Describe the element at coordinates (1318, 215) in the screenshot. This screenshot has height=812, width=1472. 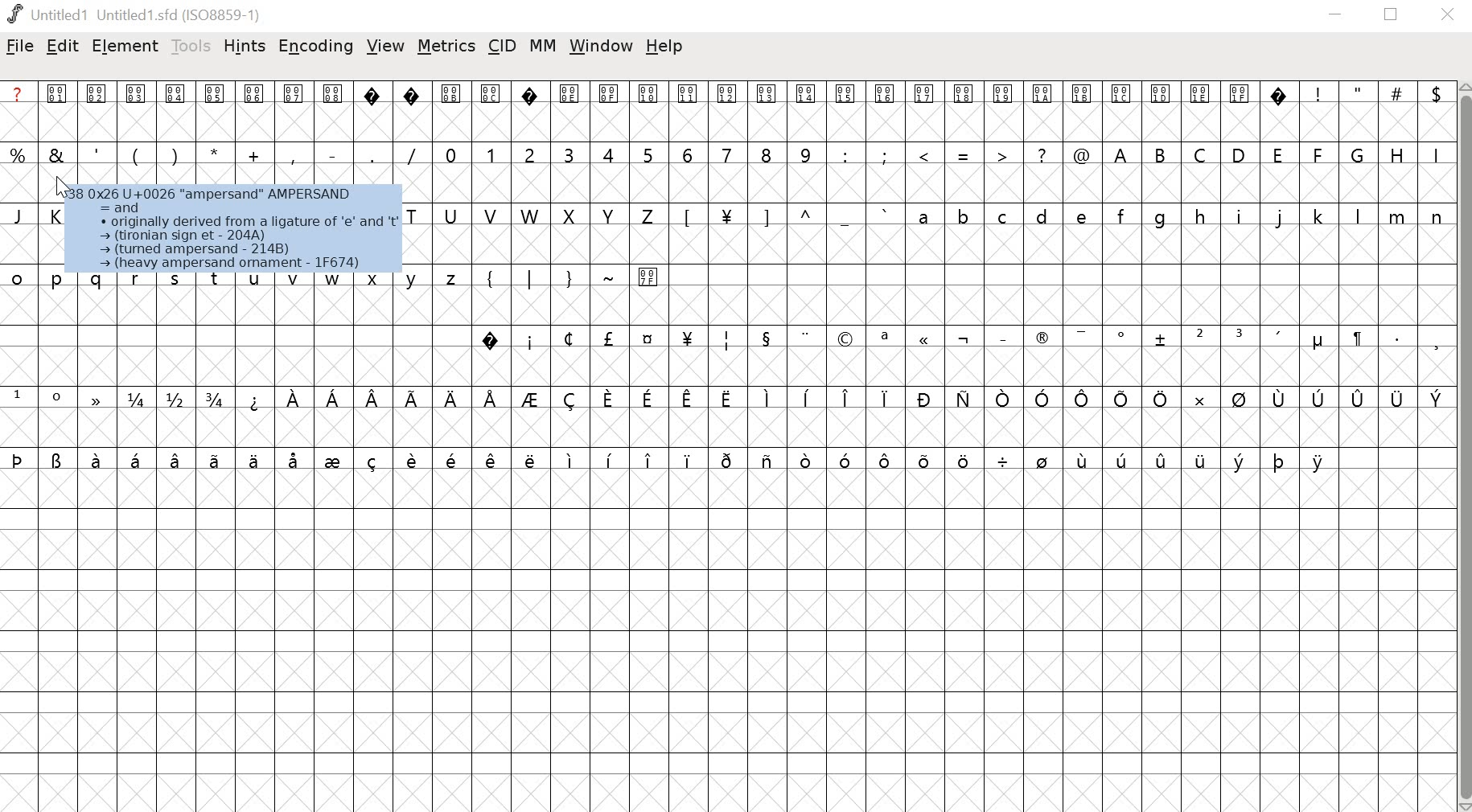
I see `k` at that location.